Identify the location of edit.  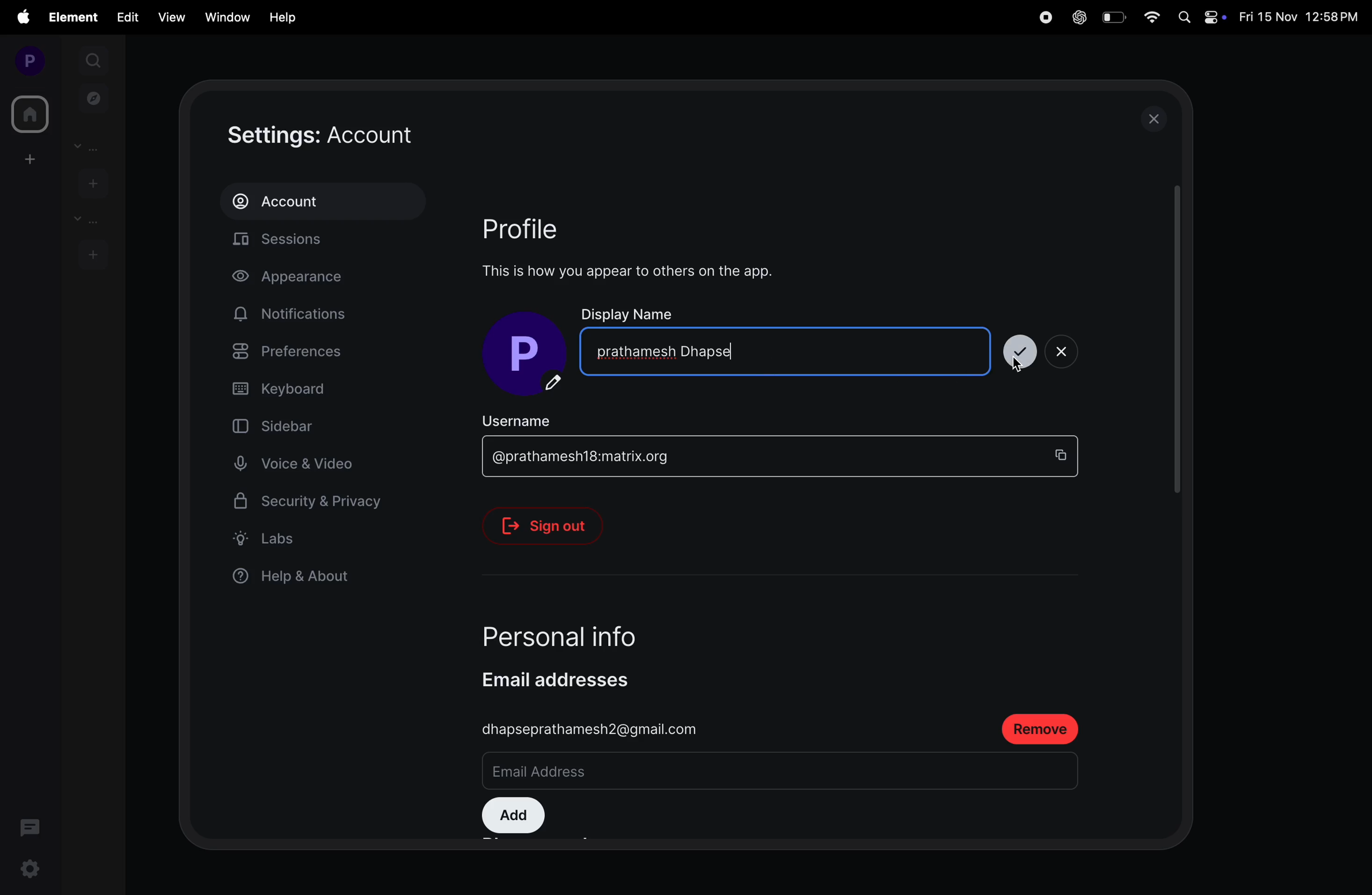
(127, 16).